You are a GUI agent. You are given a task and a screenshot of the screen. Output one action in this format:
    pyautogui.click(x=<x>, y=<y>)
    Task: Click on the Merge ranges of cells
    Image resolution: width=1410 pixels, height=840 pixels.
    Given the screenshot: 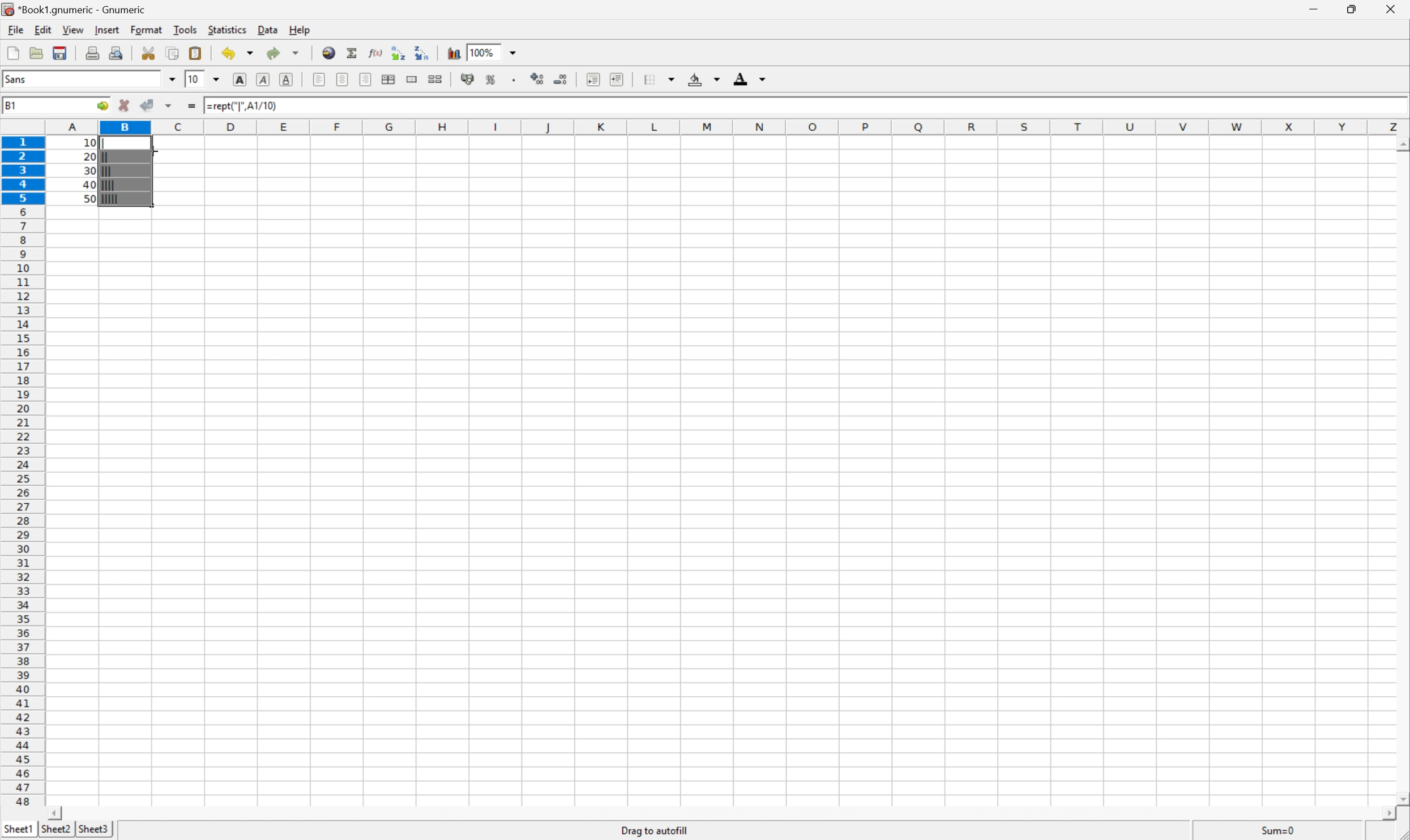 What is the action you would take?
    pyautogui.click(x=411, y=79)
    